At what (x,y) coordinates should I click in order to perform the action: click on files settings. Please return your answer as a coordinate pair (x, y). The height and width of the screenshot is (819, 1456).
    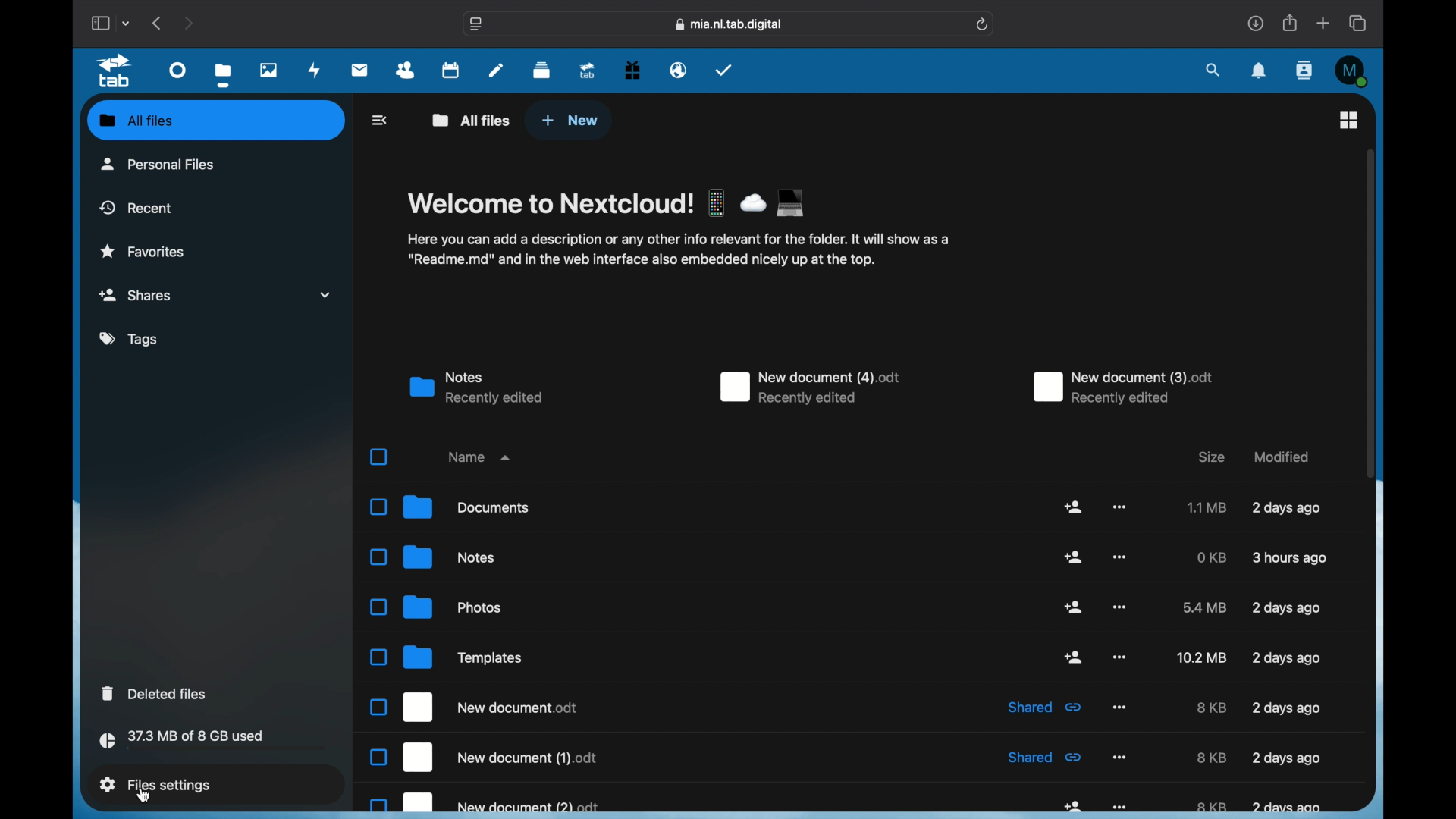
    Looking at the image, I should click on (155, 785).